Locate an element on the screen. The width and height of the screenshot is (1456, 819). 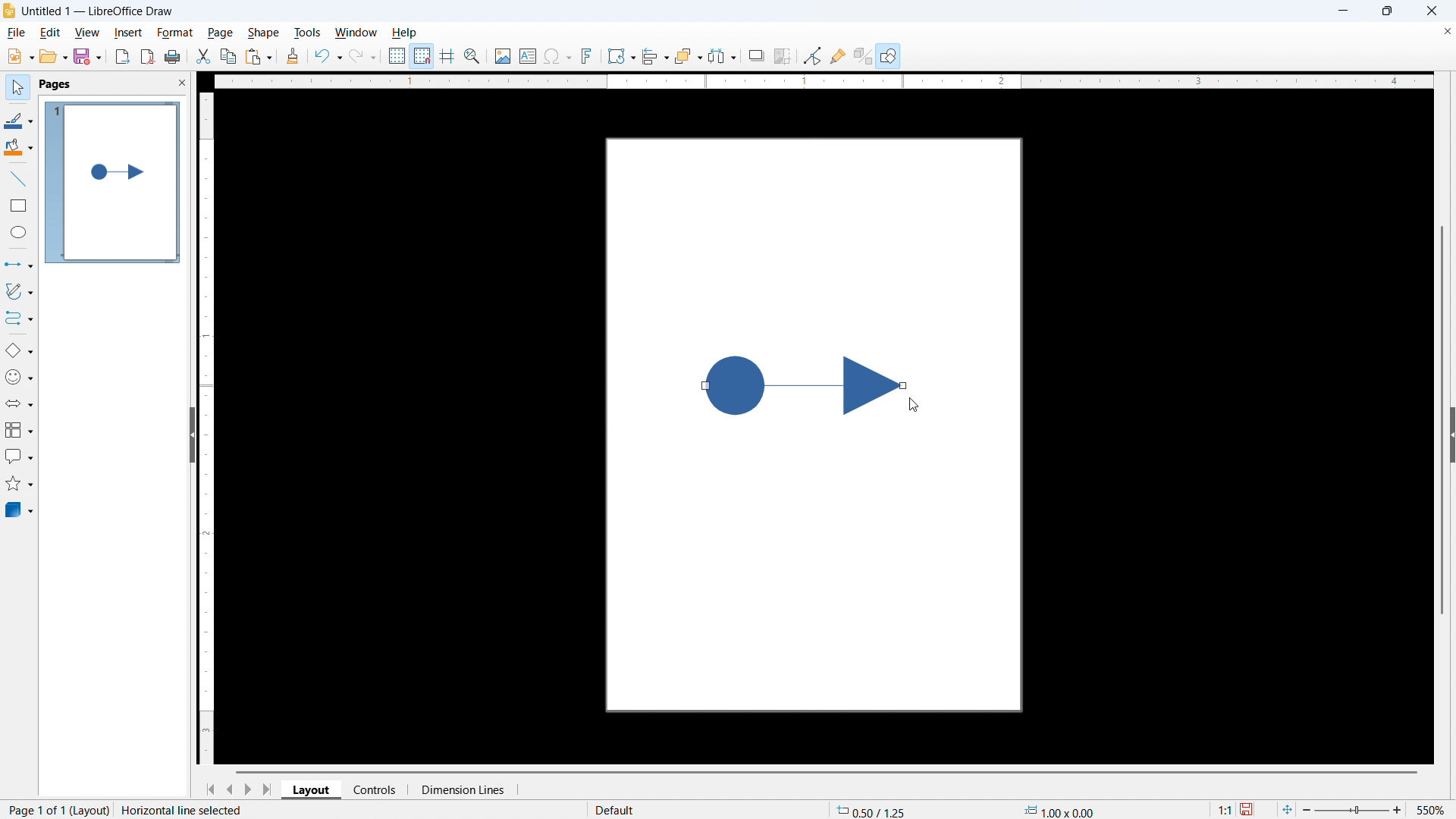
Basic shapes  is located at coordinates (19, 350).